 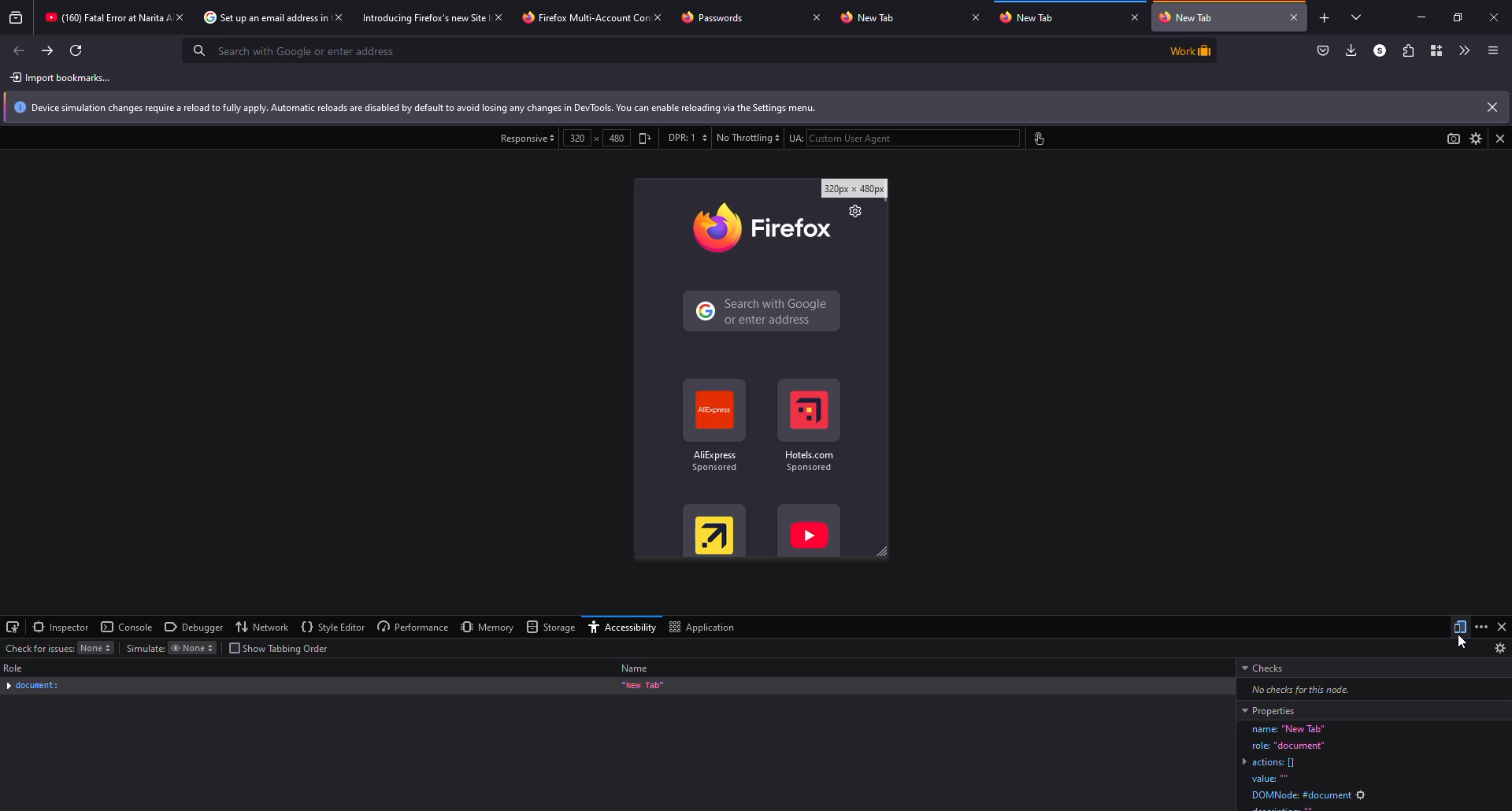 I want to click on settings, so click(x=1500, y=648).